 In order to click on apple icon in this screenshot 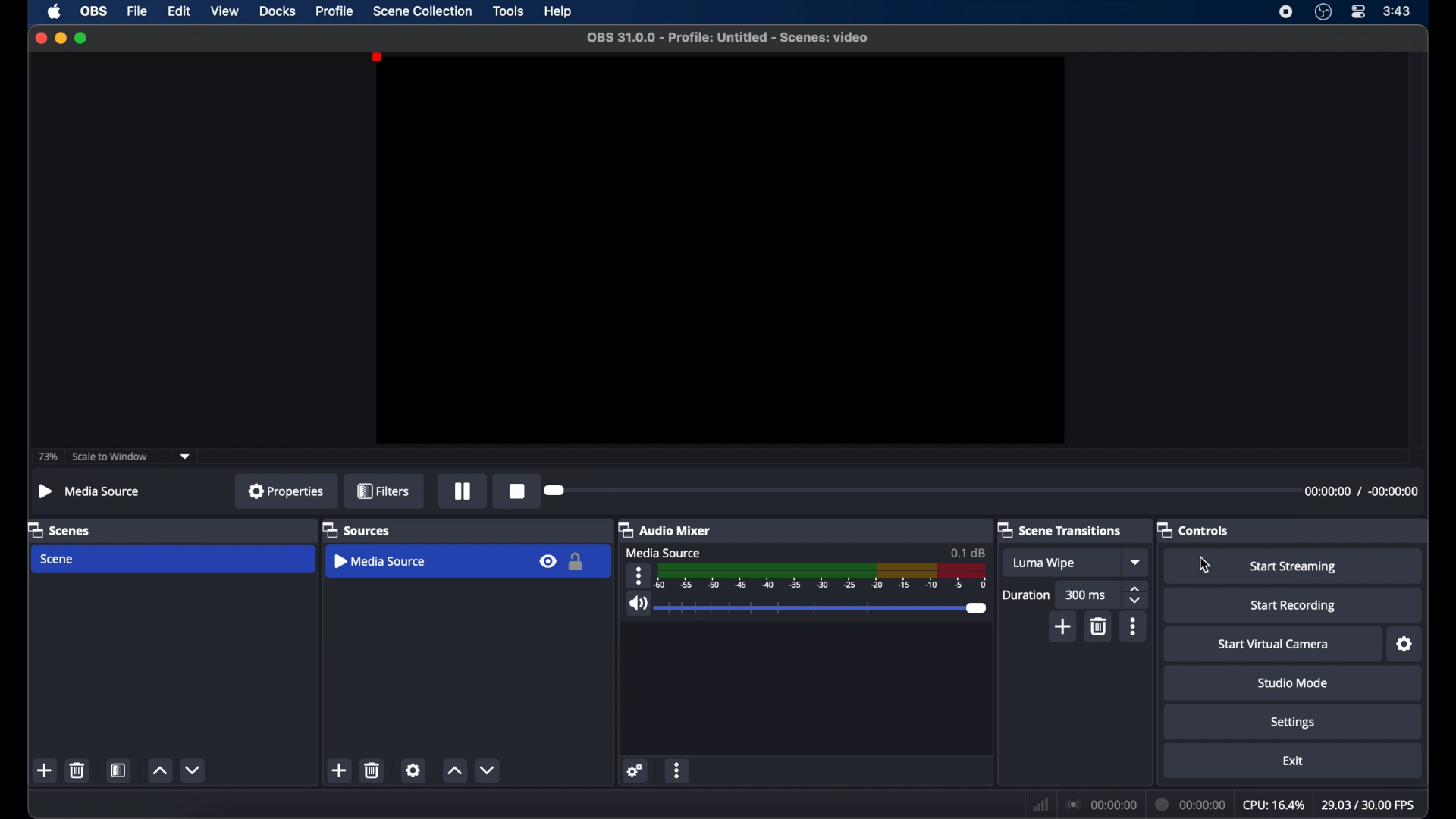, I will do `click(55, 11)`.